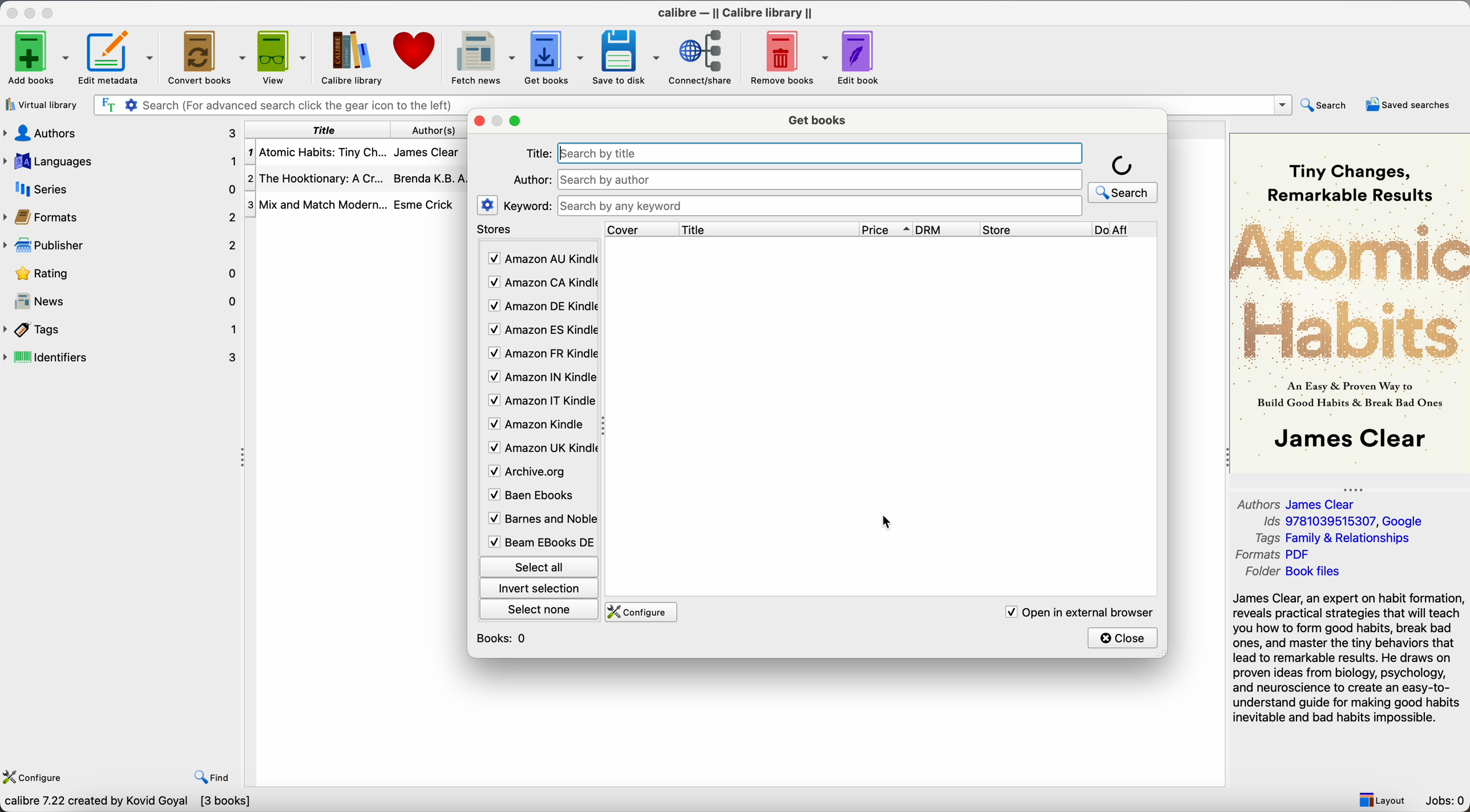 The image size is (1470, 812). What do you see at coordinates (123, 217) in the screenshot?
I see `formats` at bounding box center [123, 217].